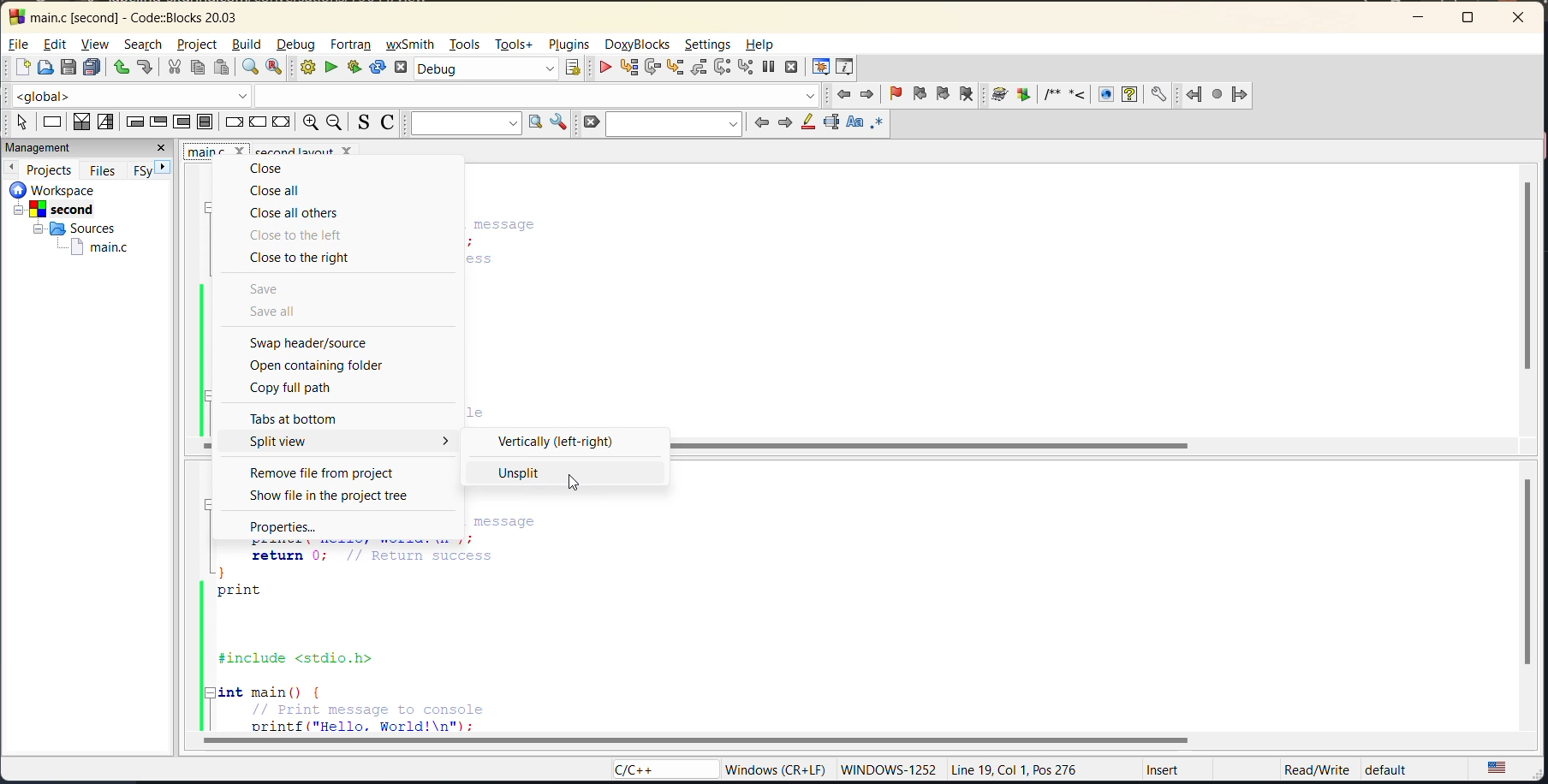 The image size is (1548, 784). I want to click on continue instruction, so click(255, 122).